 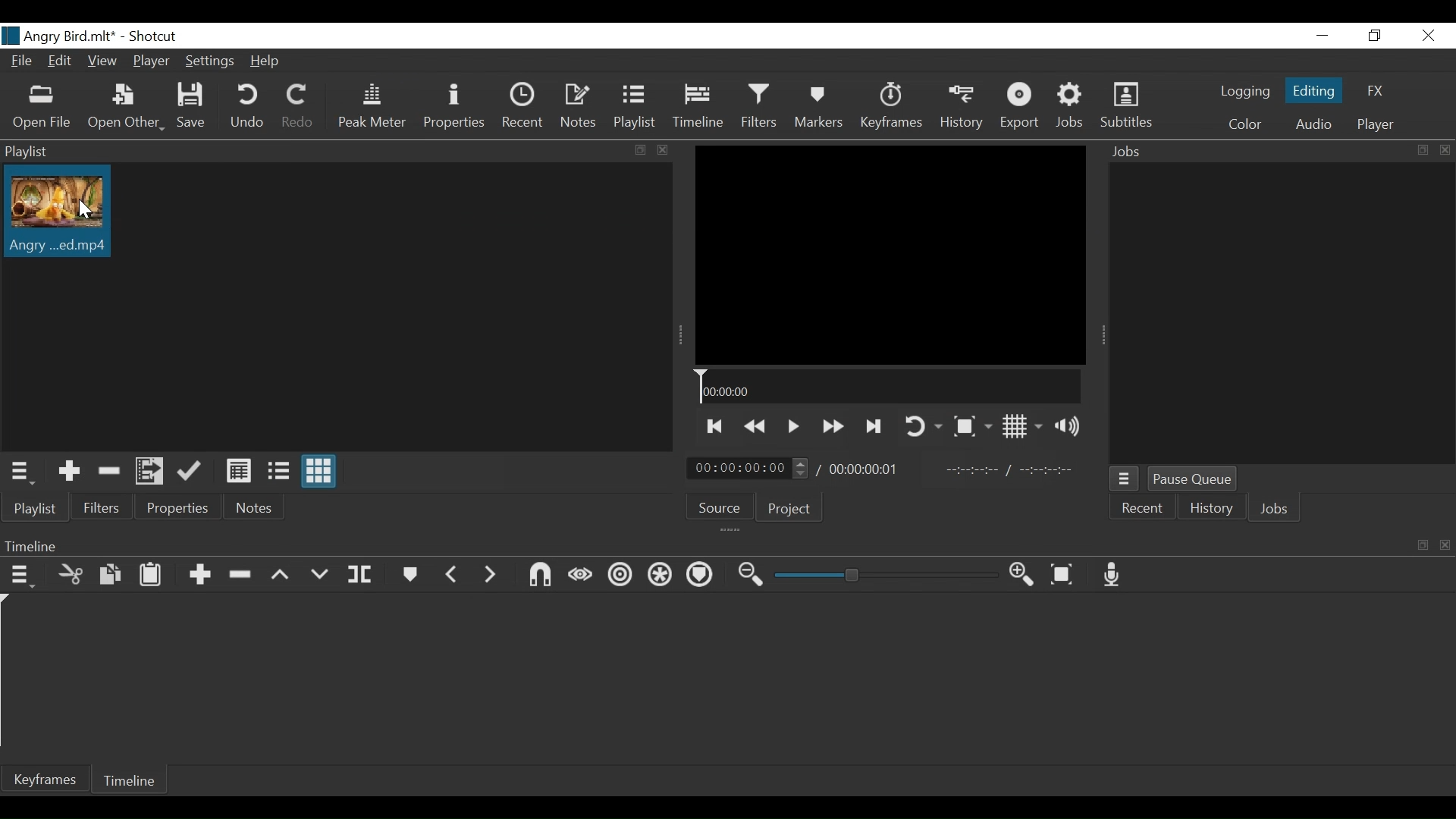 I want to click on View as files, so click(x=277, y=470).